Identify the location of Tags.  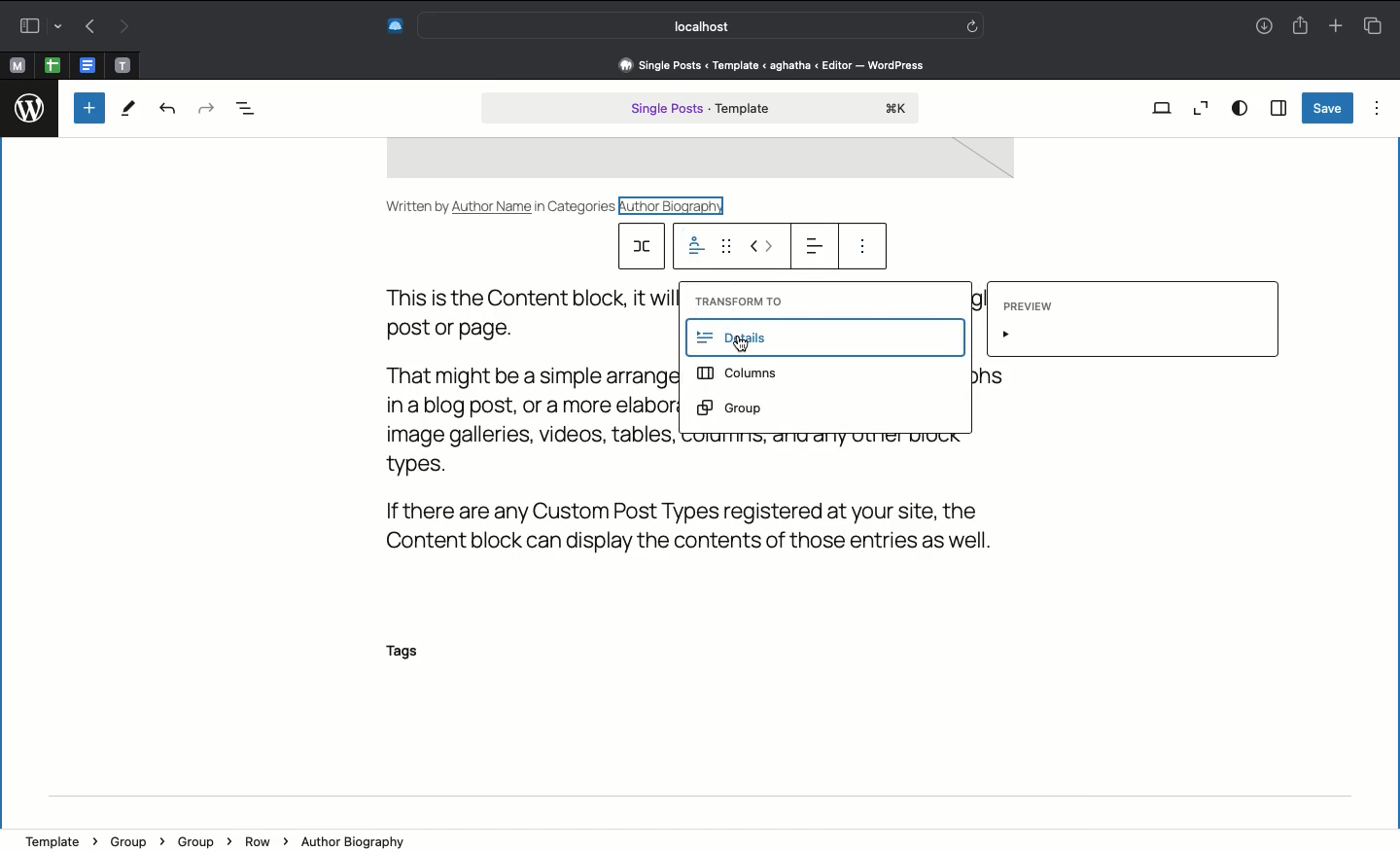
(413, 653).